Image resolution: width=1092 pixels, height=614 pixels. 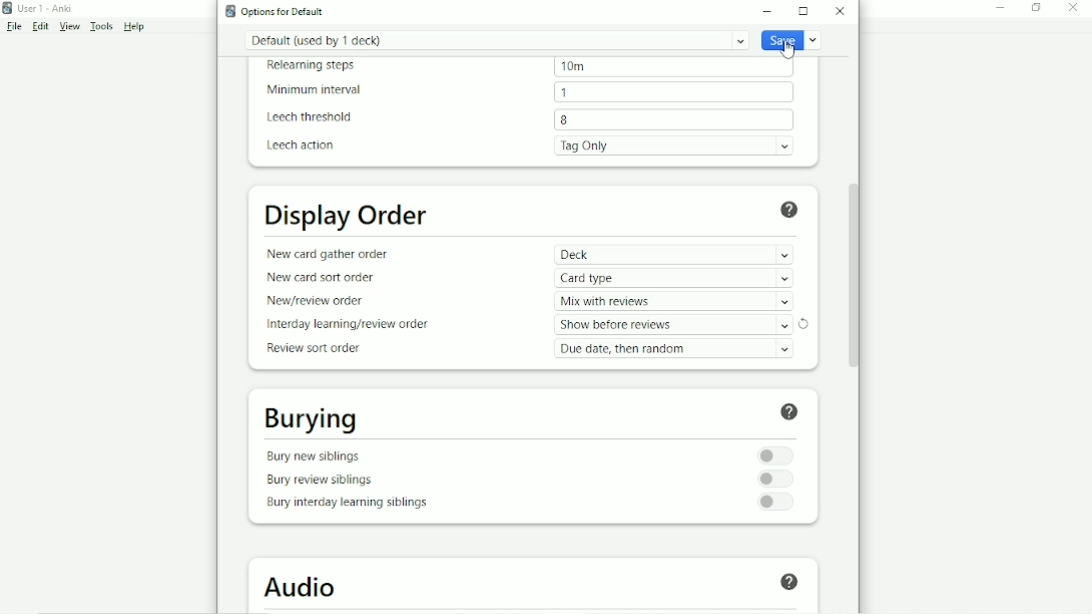 What do you see at coordinates (1072, 9) in the screenshot?
I see `Close` at bounding box center [1072, 9].